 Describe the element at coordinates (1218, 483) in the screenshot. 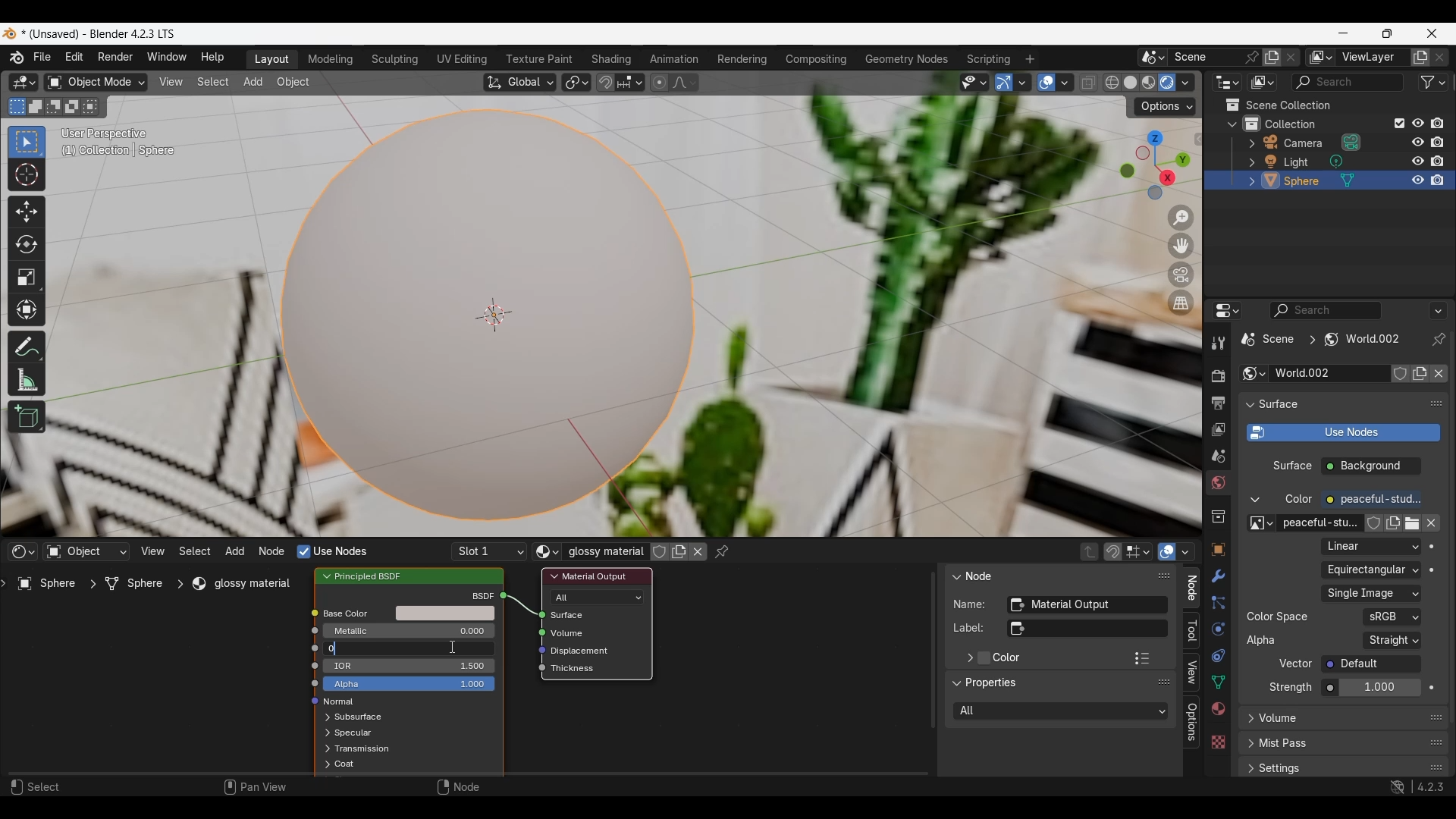

I see `World properties` at that location.